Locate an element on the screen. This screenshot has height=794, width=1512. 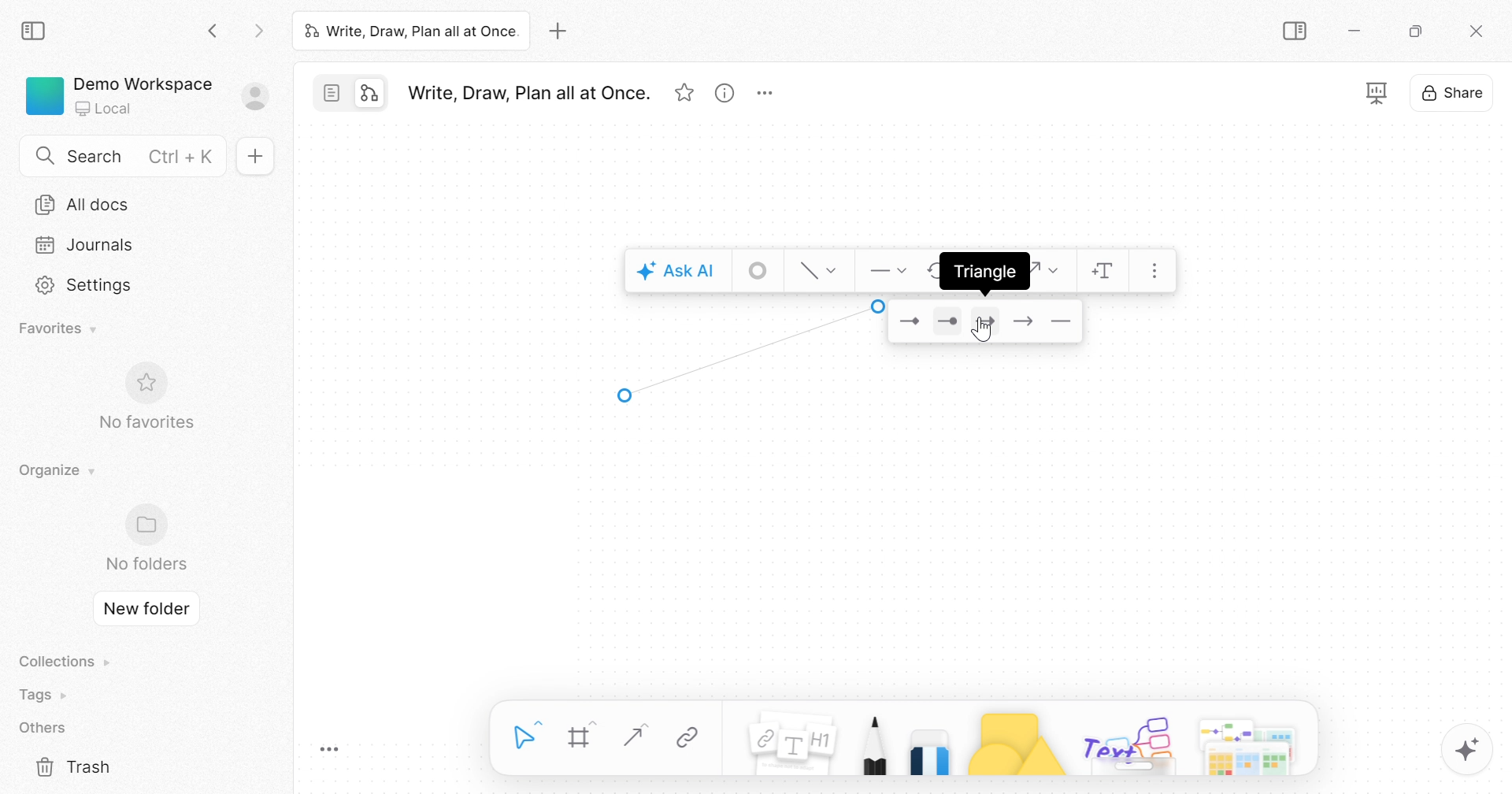
Add text is located at coordinates (1105, 274).